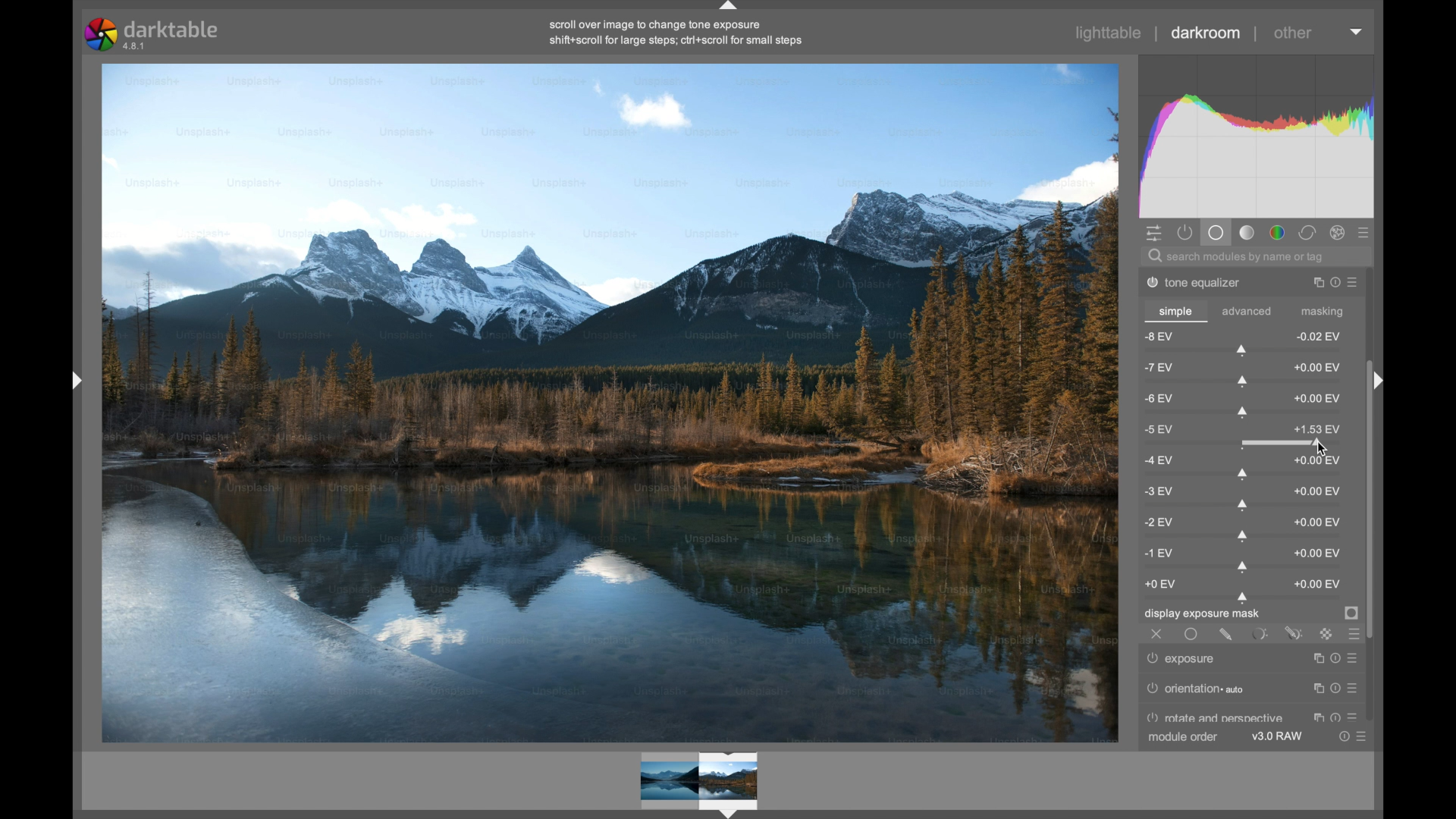  I want to click on tone, so click(1248, 232).